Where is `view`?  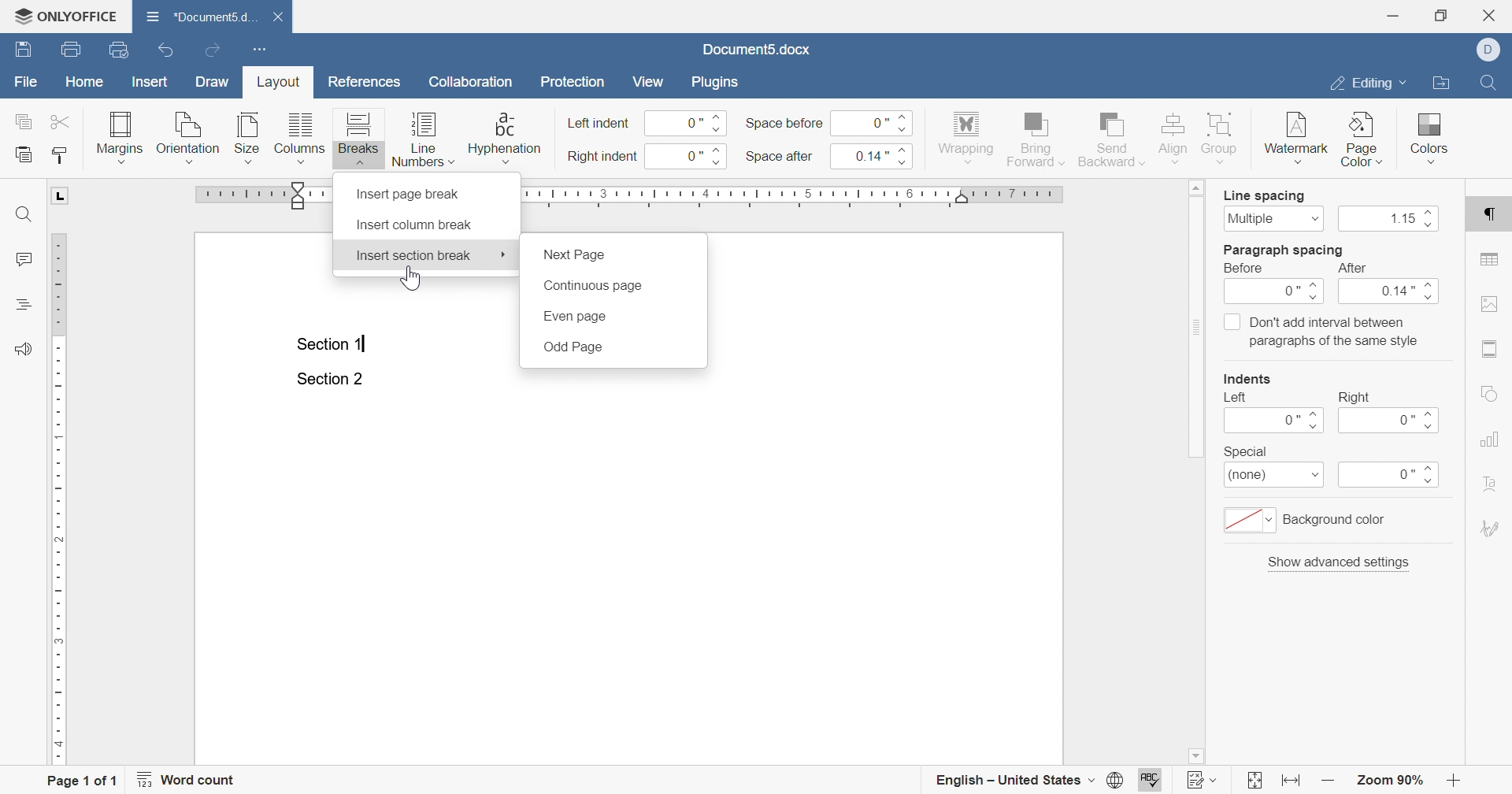
view is located at coordinates (650, 82).